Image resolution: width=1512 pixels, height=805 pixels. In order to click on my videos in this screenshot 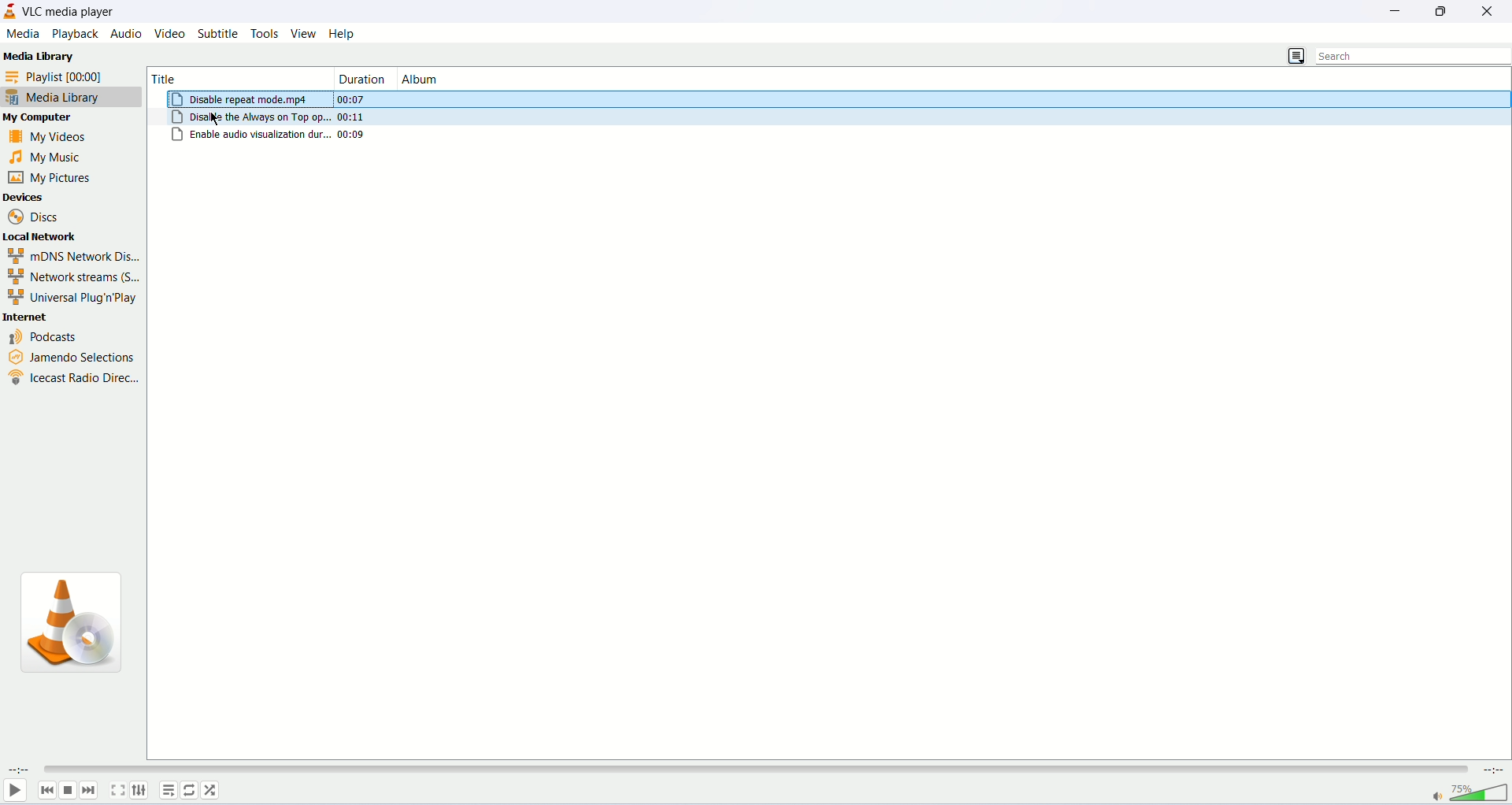, I will do `click(61, 135)`.